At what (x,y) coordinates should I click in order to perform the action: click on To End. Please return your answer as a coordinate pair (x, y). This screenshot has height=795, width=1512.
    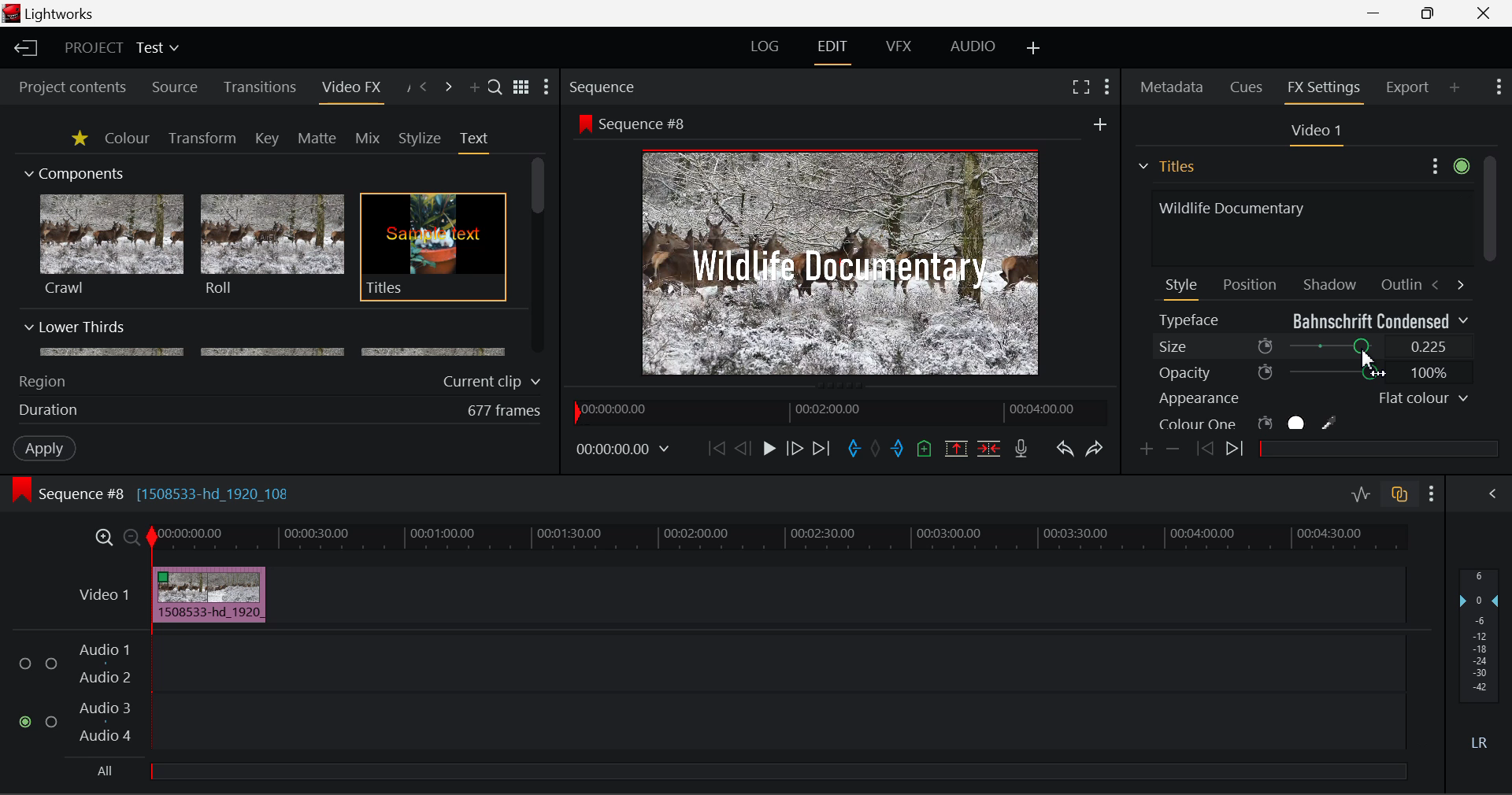
    Looking at the image, I should click on (822, 451).